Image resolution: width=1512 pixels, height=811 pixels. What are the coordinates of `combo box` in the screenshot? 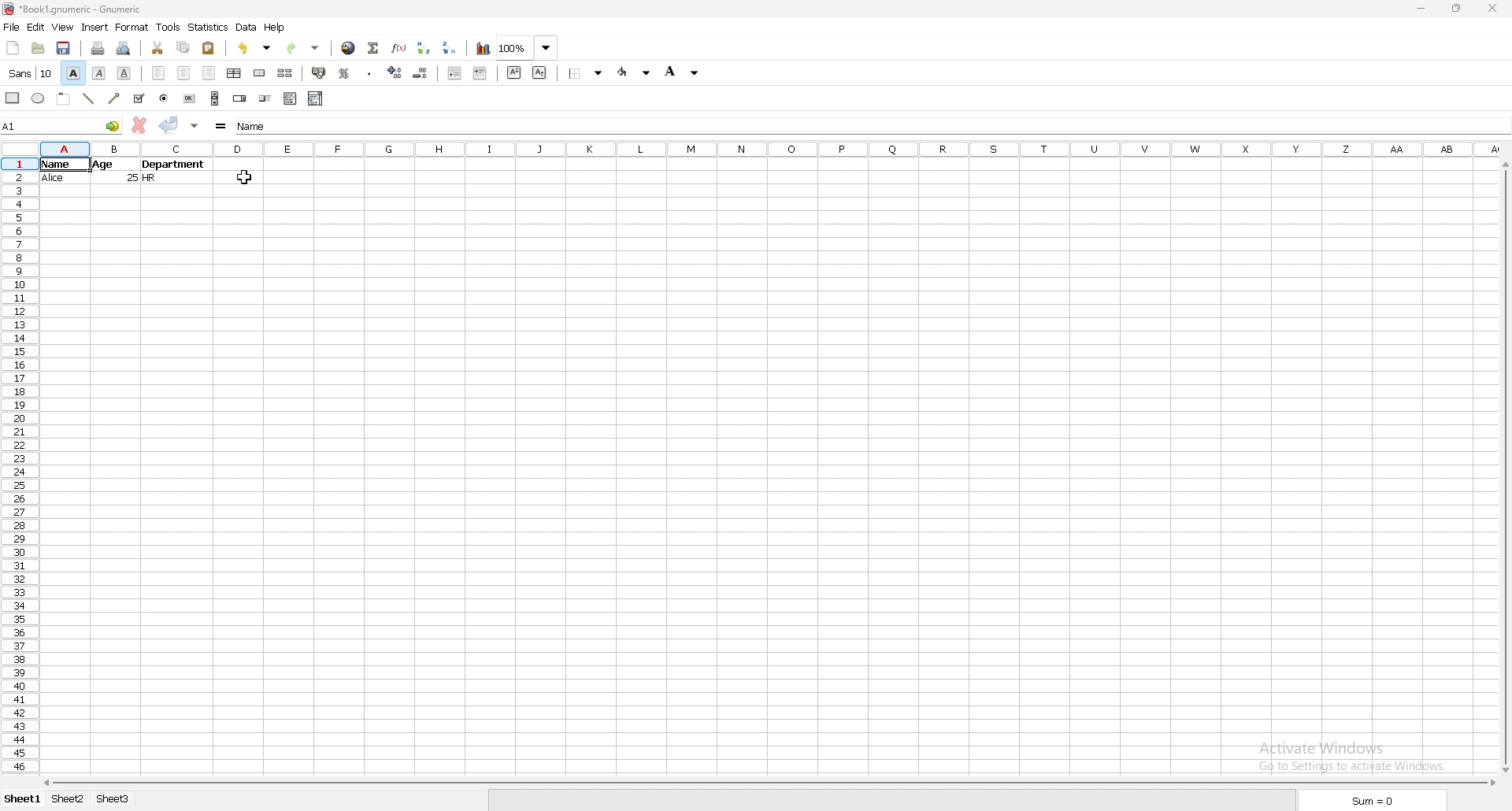 It's located at (316, 98).